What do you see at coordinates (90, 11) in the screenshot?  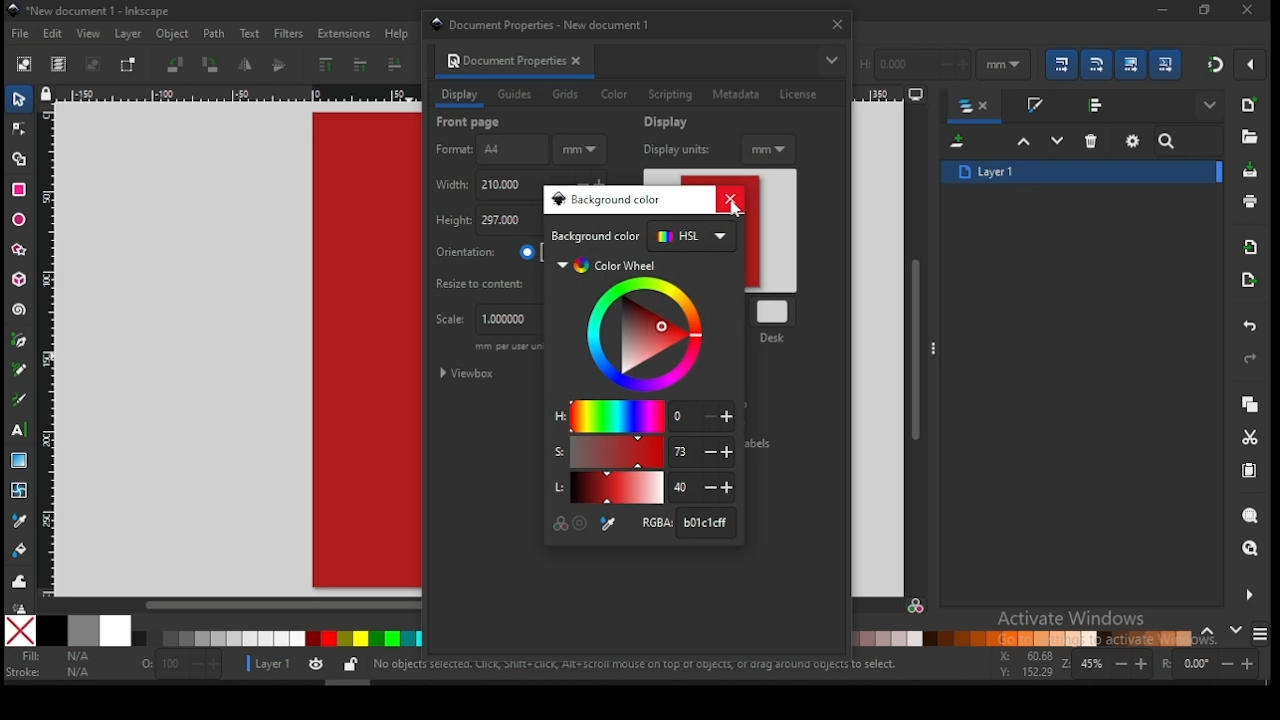 I see `icon and filename` at bounding box center [90, 11].